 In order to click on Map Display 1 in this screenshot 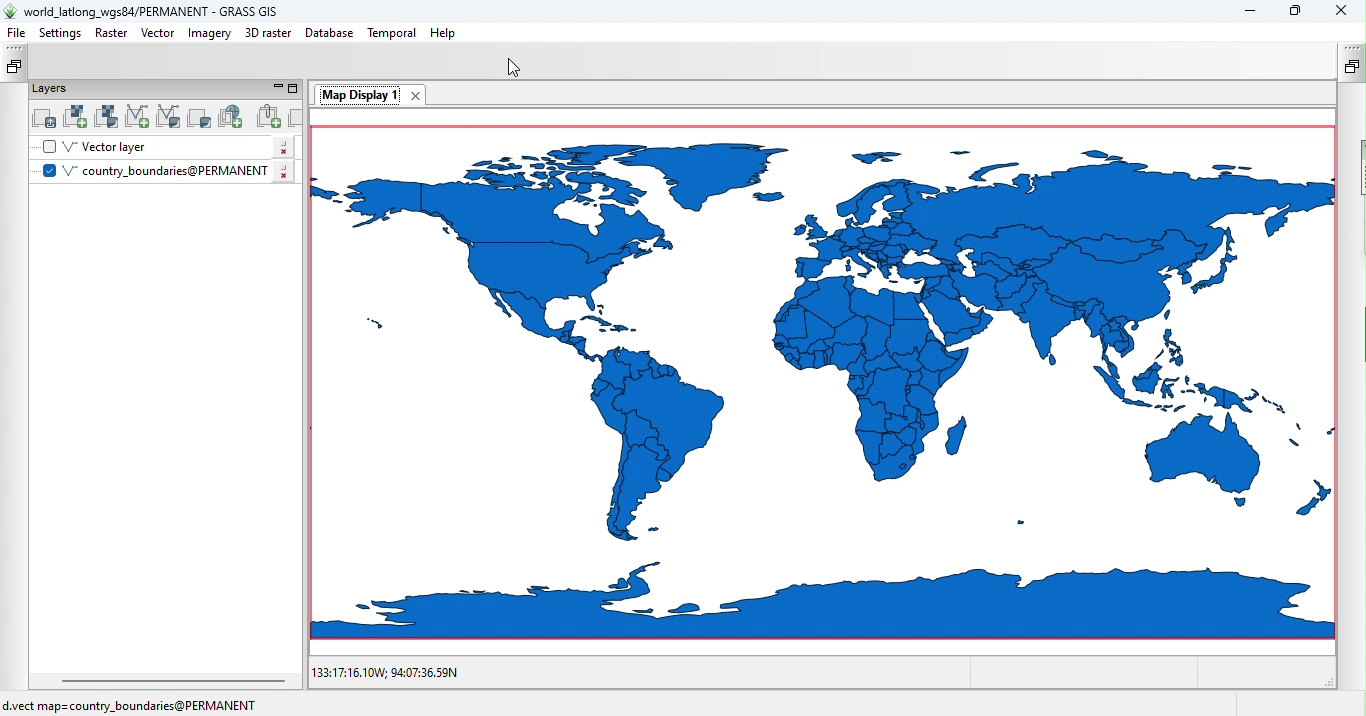, I will do `click(373, 95)`.